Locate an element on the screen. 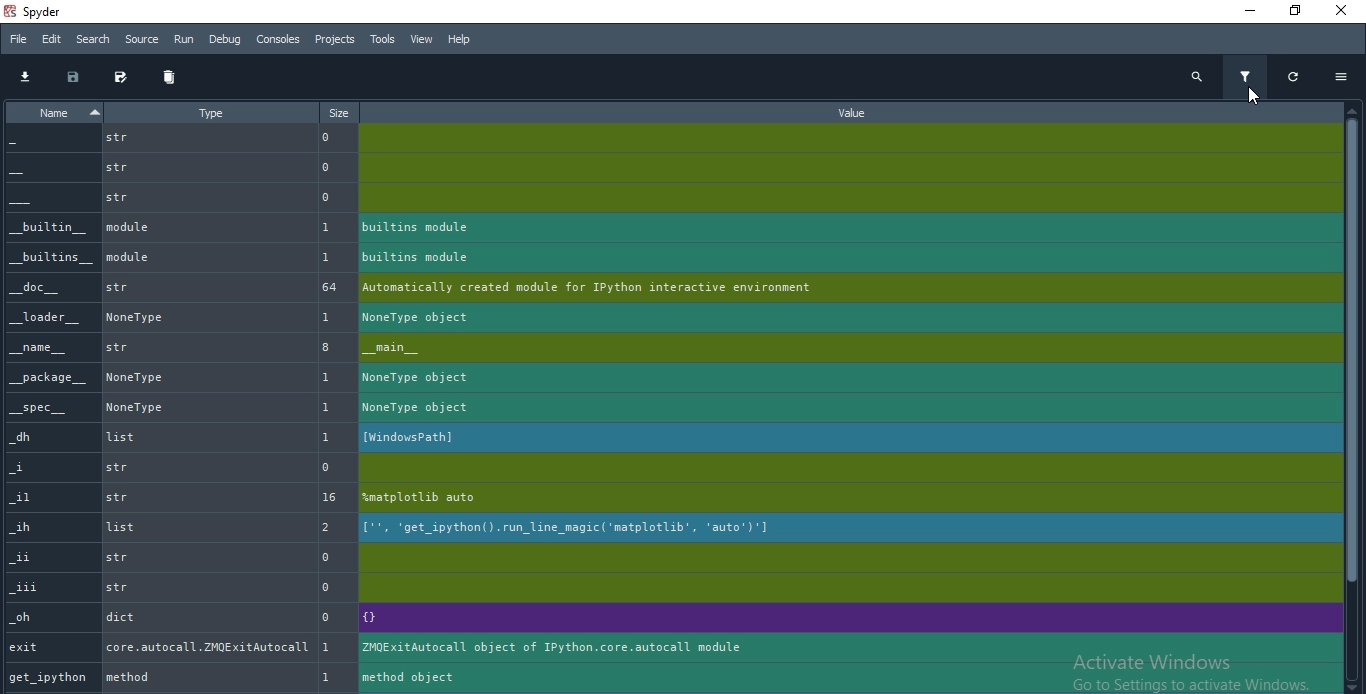 The width and height of the screenshot is (1366, 694). Source is located at coordinates (142, 39).